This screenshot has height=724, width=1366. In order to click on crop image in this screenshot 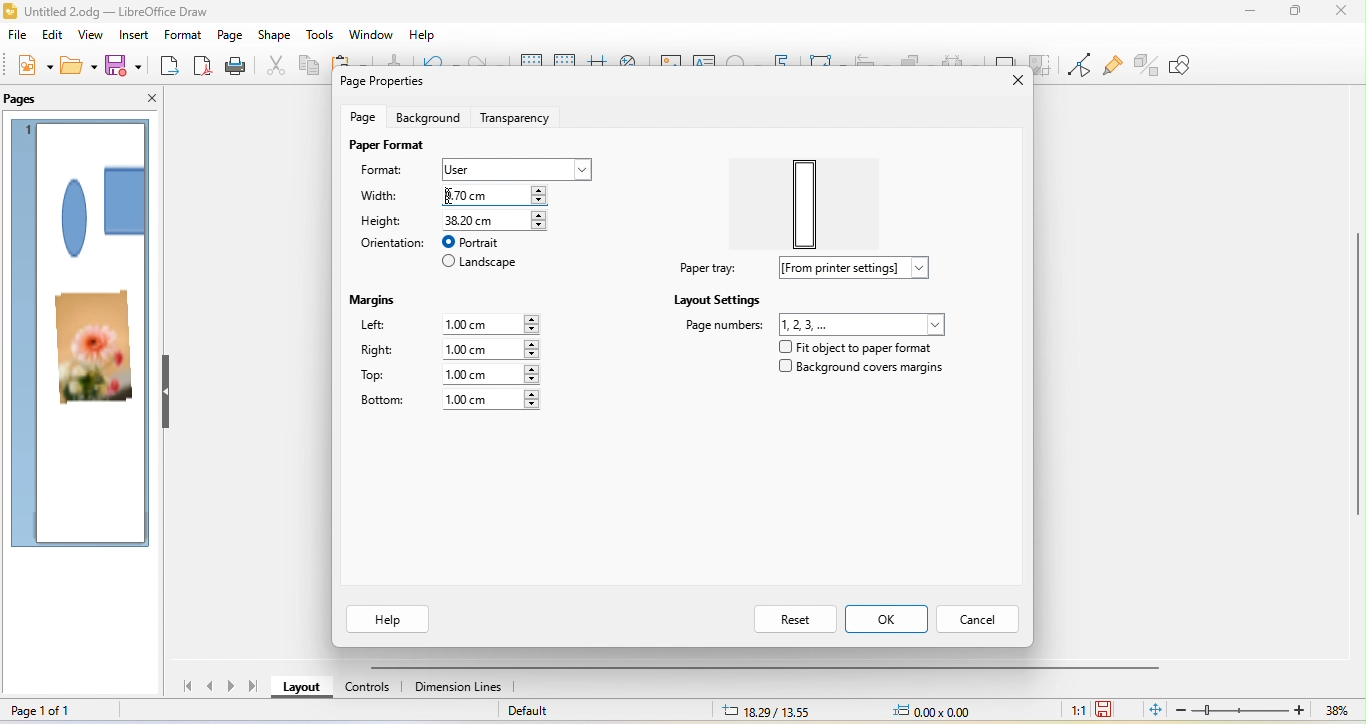, I will do `click(1042, 54)`.